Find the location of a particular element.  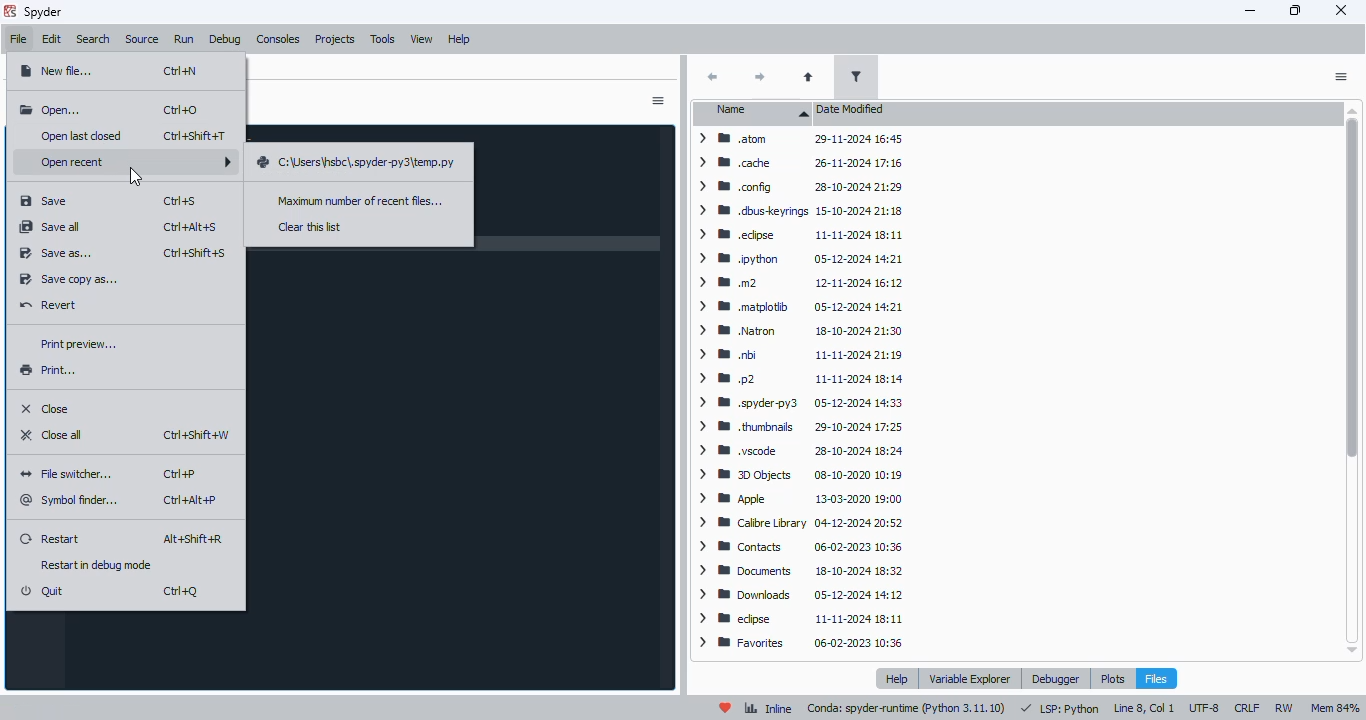

close is located at coordinates (1342, 10).